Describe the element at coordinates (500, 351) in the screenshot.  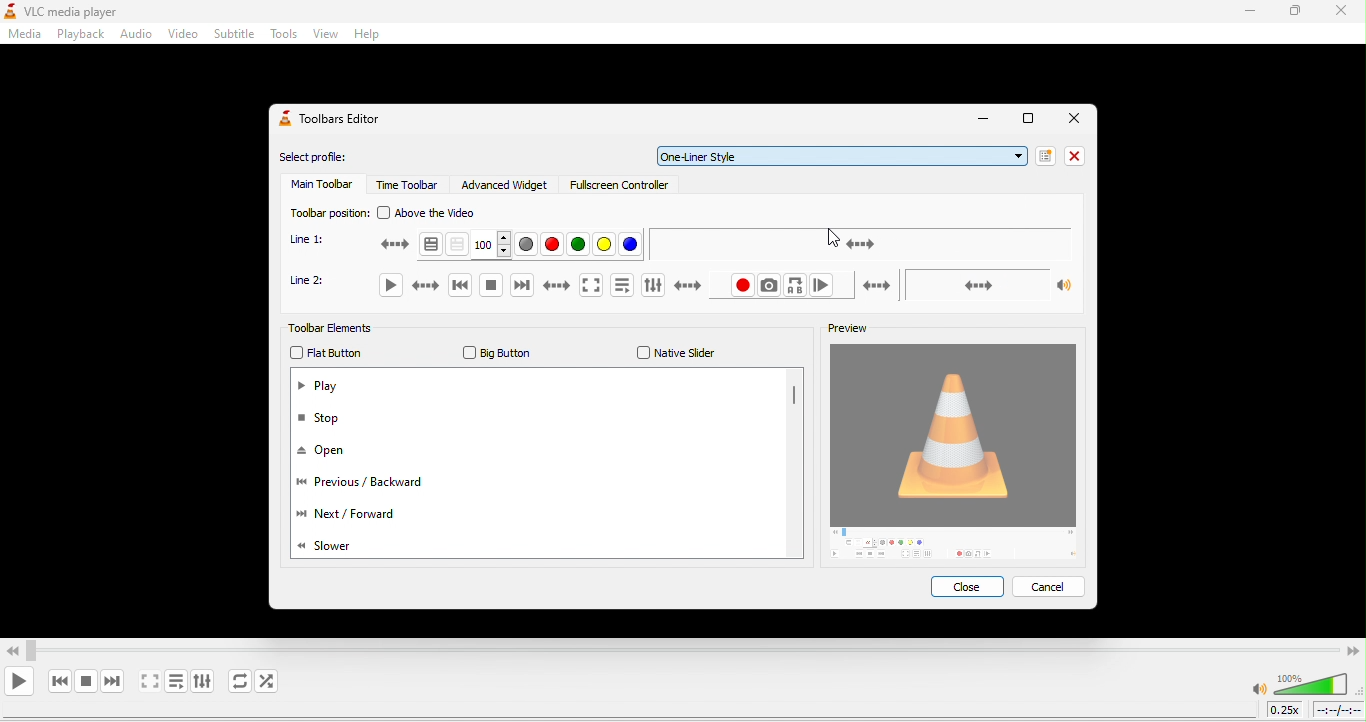
I see `big button` at that location.